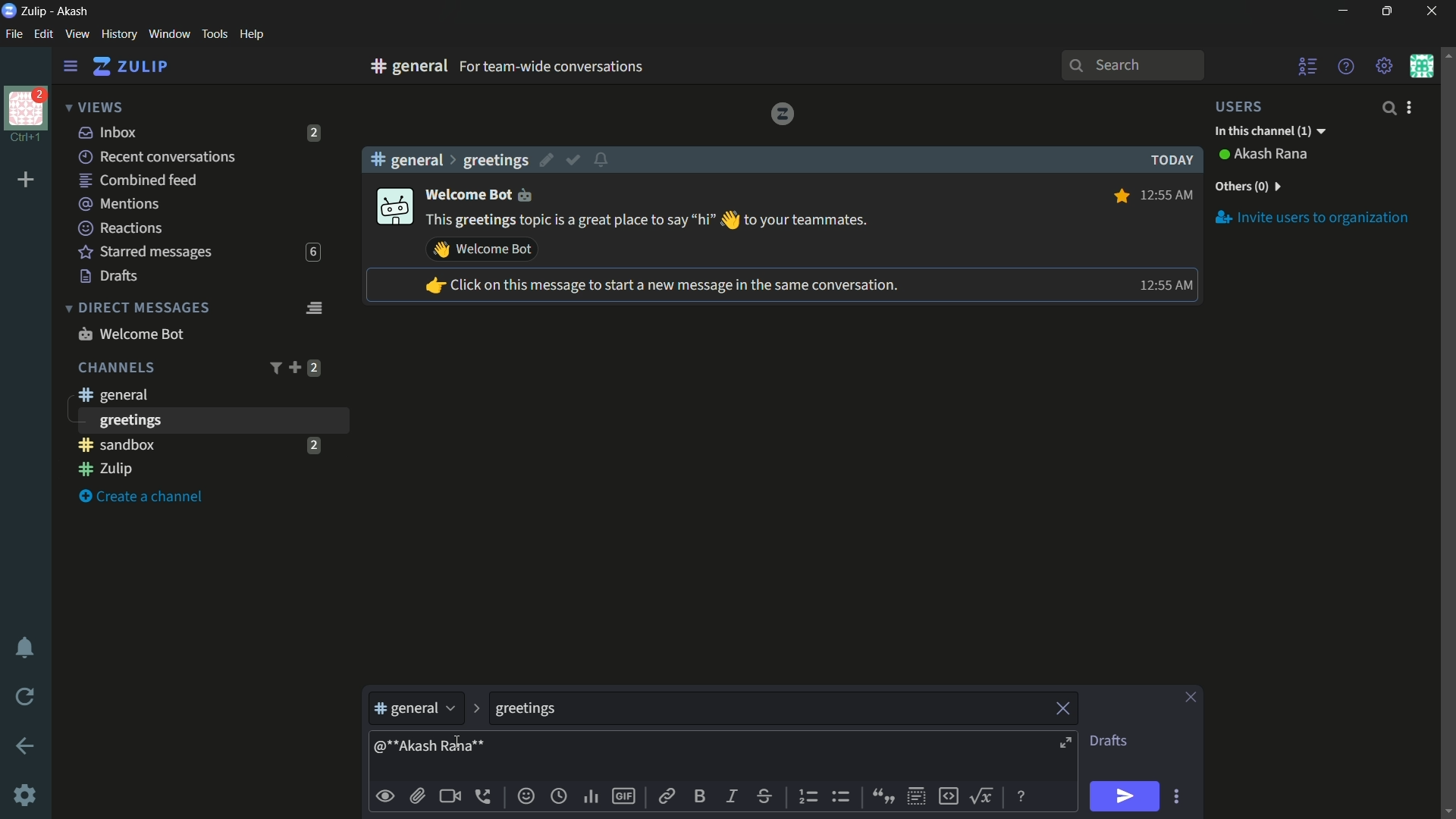 Image resolution: width=1456 pixels, height=819 pixels. What do you see at coordinates (623, 796) in the screenshot?
I see `add gif` at bounding box center [623, 796].